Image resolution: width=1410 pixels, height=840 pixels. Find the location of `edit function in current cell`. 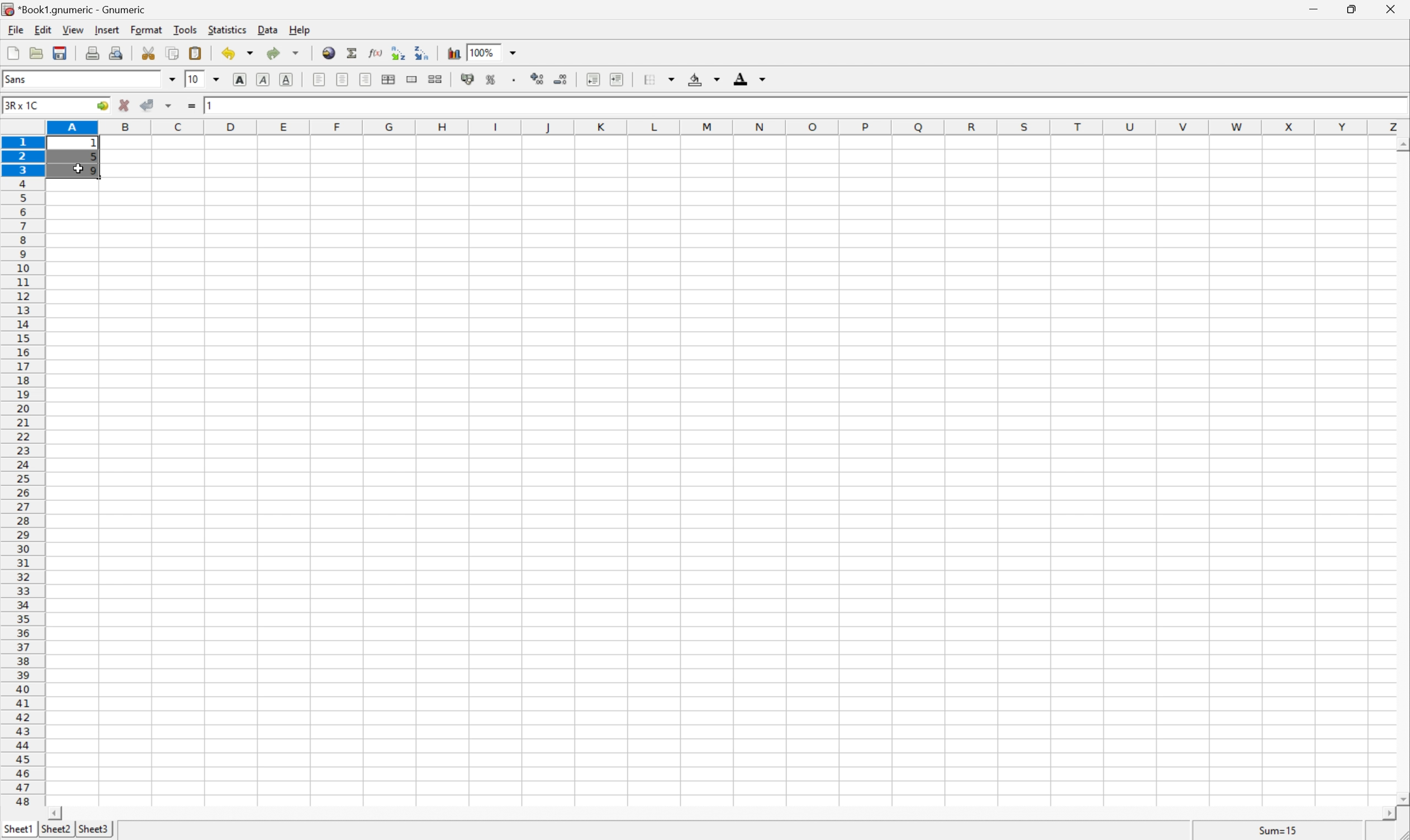

edit function in current cell is located at coordinates (377, 52).